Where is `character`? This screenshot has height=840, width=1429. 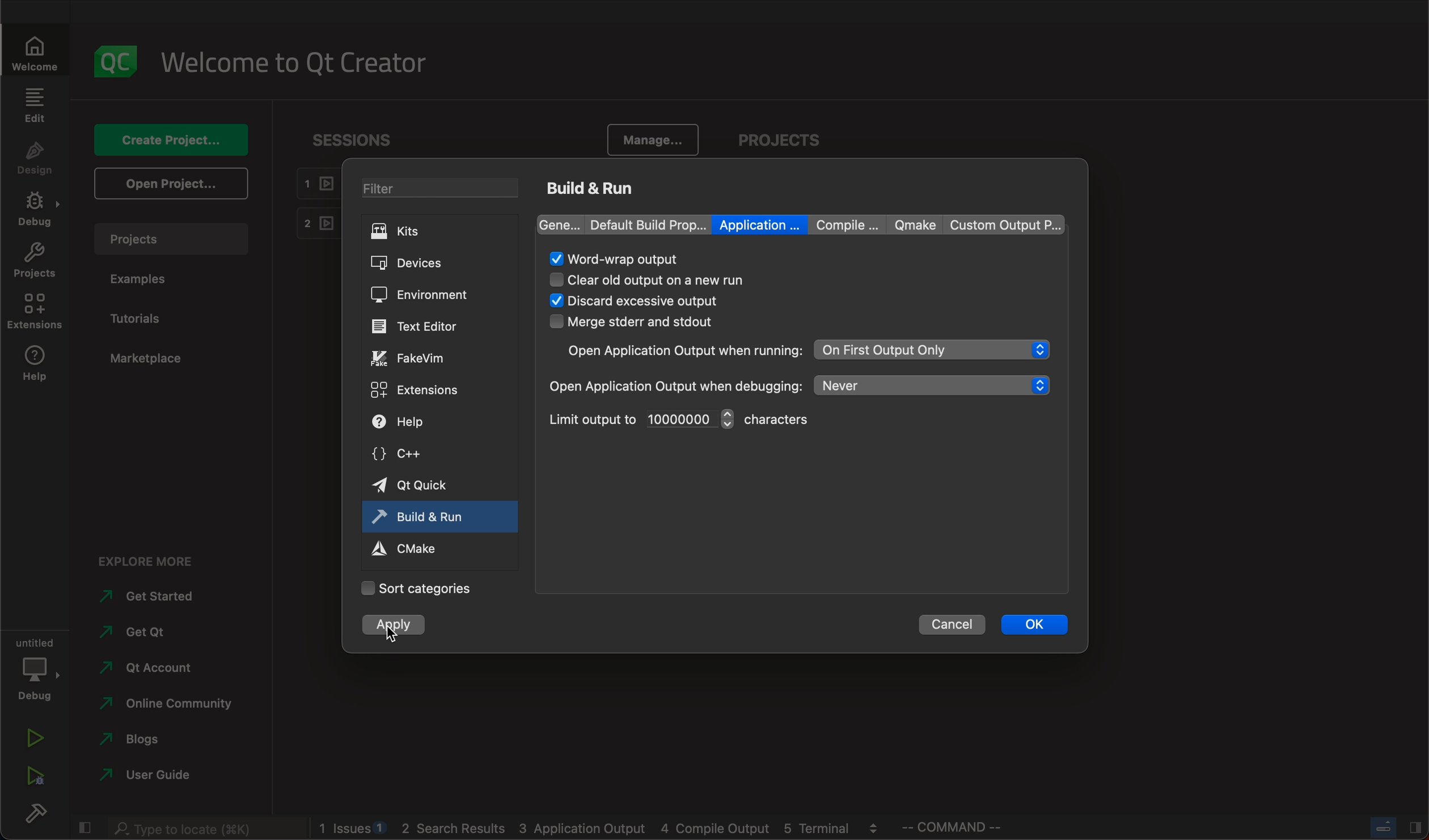 character is located at coordinates (784, 419).